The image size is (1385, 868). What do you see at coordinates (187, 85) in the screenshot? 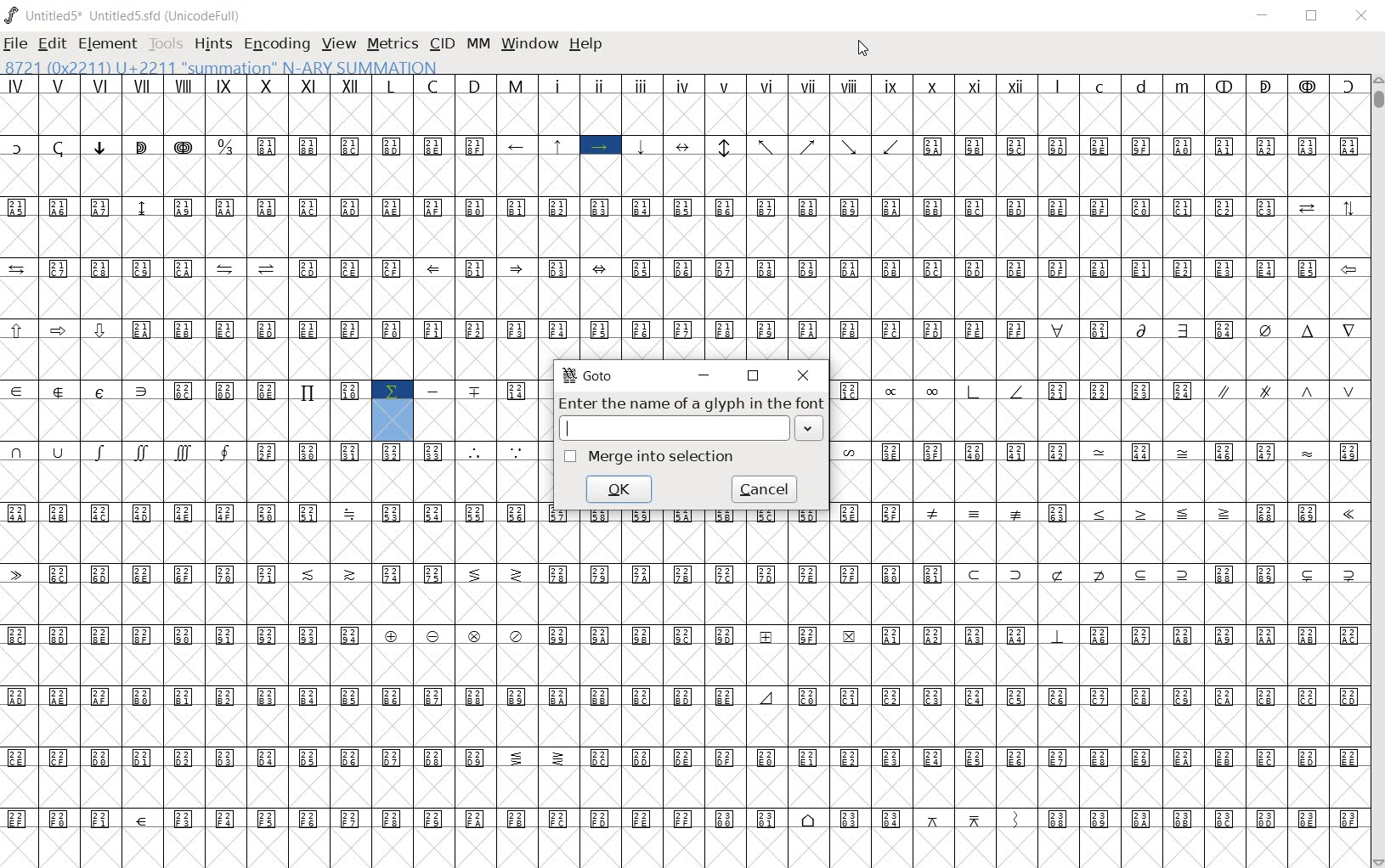
I see `roman numerals` at bounding box center [187, 85].